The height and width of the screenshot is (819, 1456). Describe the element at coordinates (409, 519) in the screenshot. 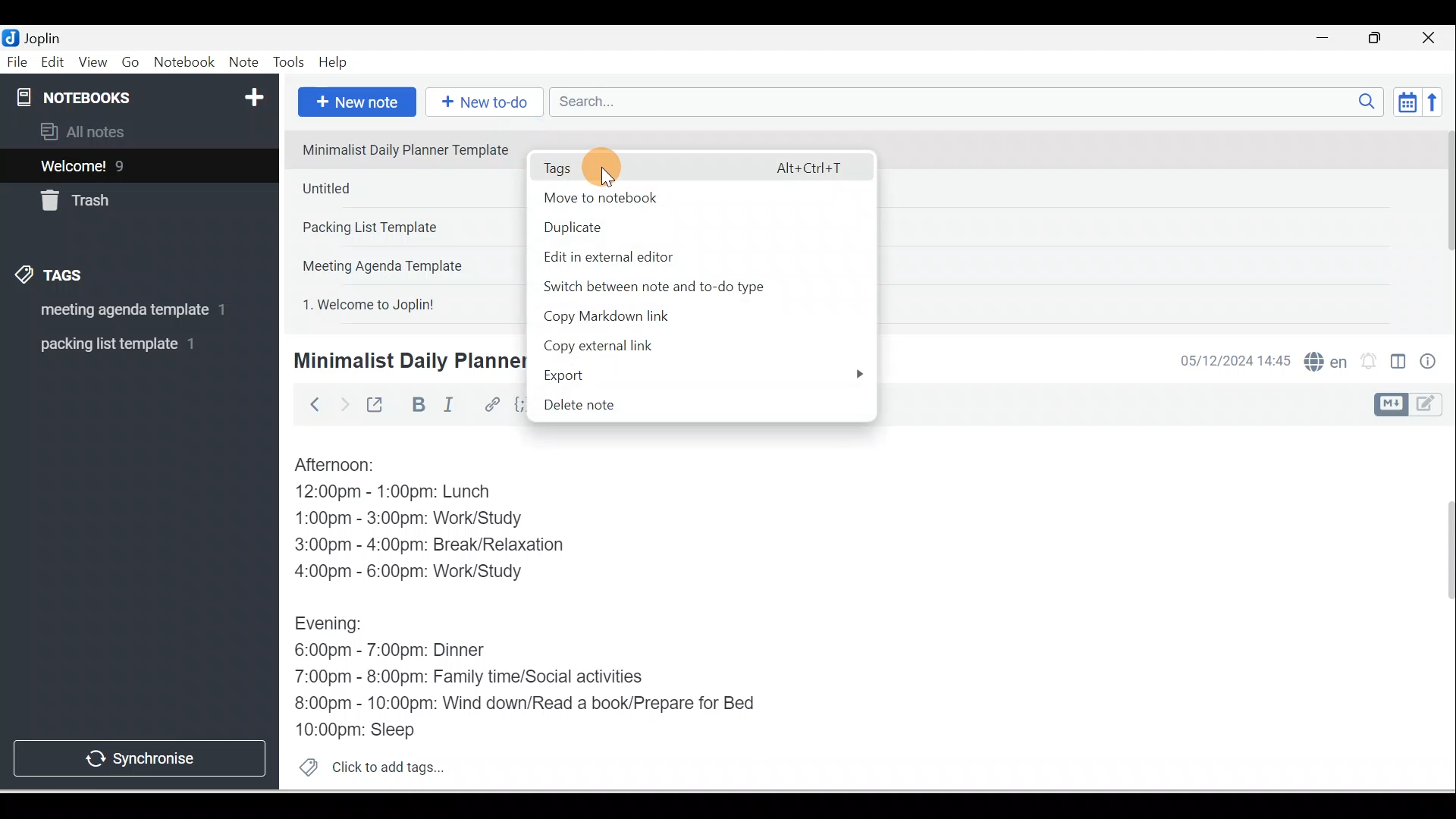

I see `1:00pm - 3:00pm: Work/Study` at that location.